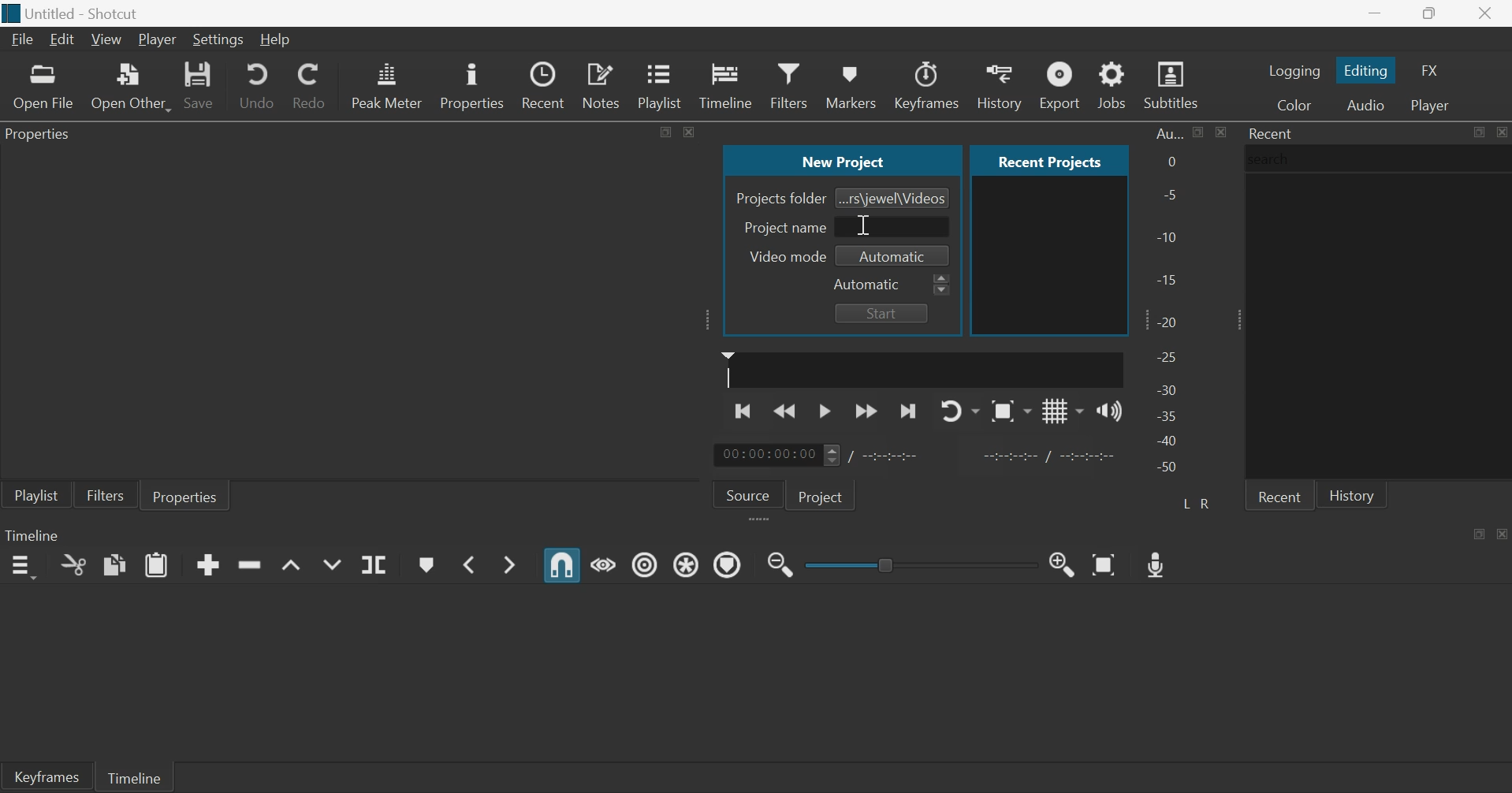 This screenshot has height=793, width=1512. Describe the element at coordinates (105, 40) in the screenshot. I see `View` at that location.